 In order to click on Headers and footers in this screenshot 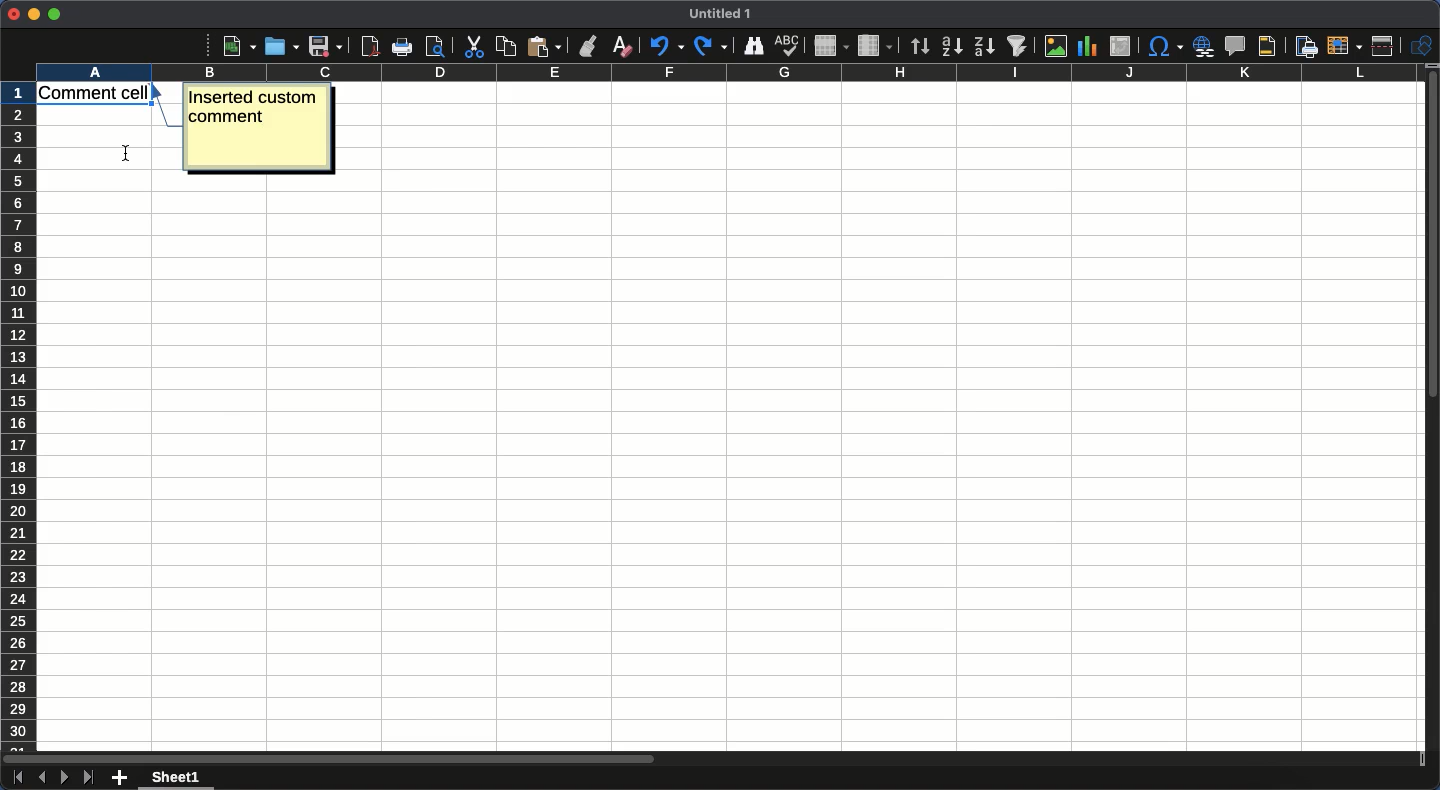, I will do `click(1269, 45)`.